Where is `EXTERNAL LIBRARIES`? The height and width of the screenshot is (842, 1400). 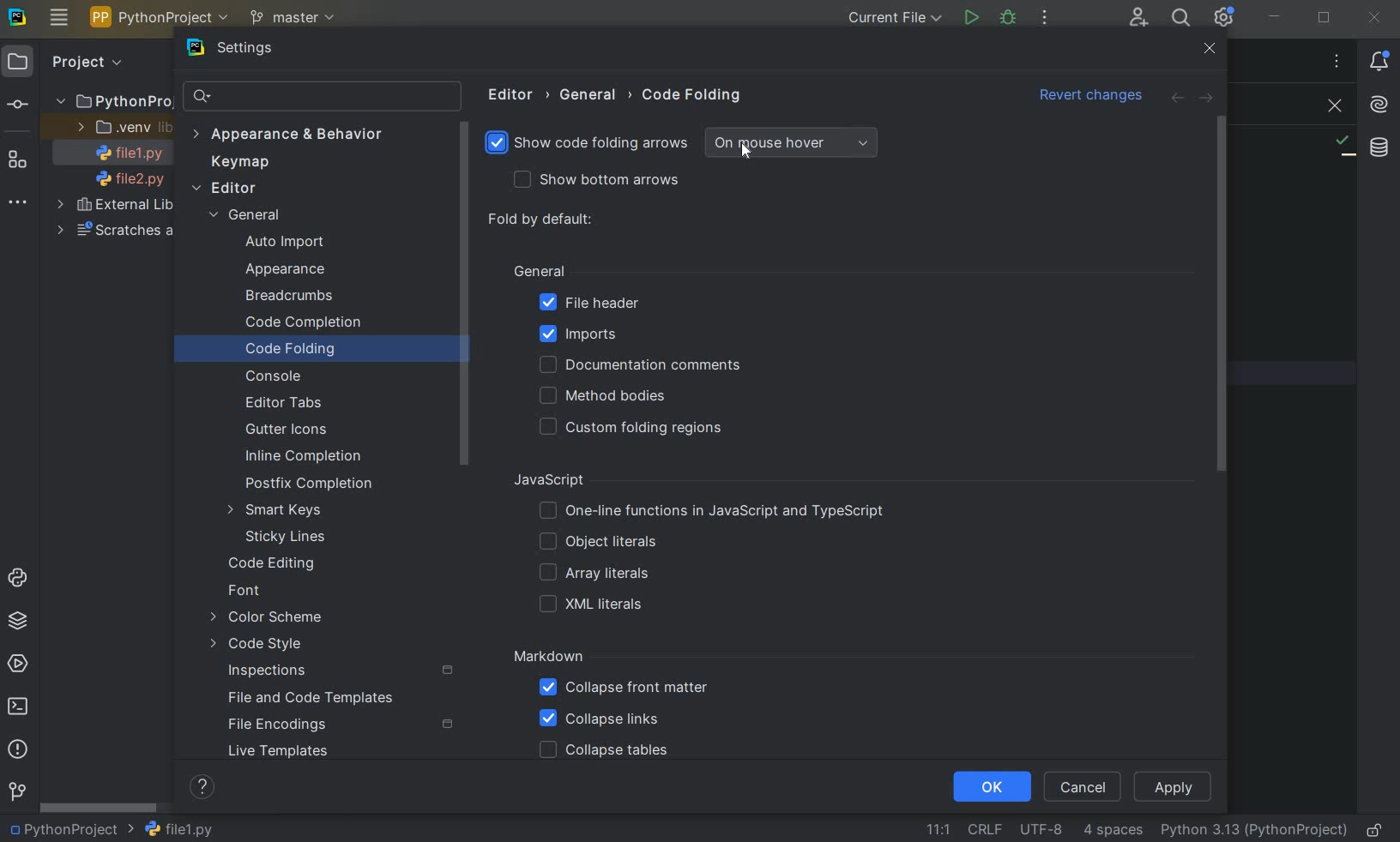 EXTERNAL LIBRARIES is located at coordinates (117, 207).